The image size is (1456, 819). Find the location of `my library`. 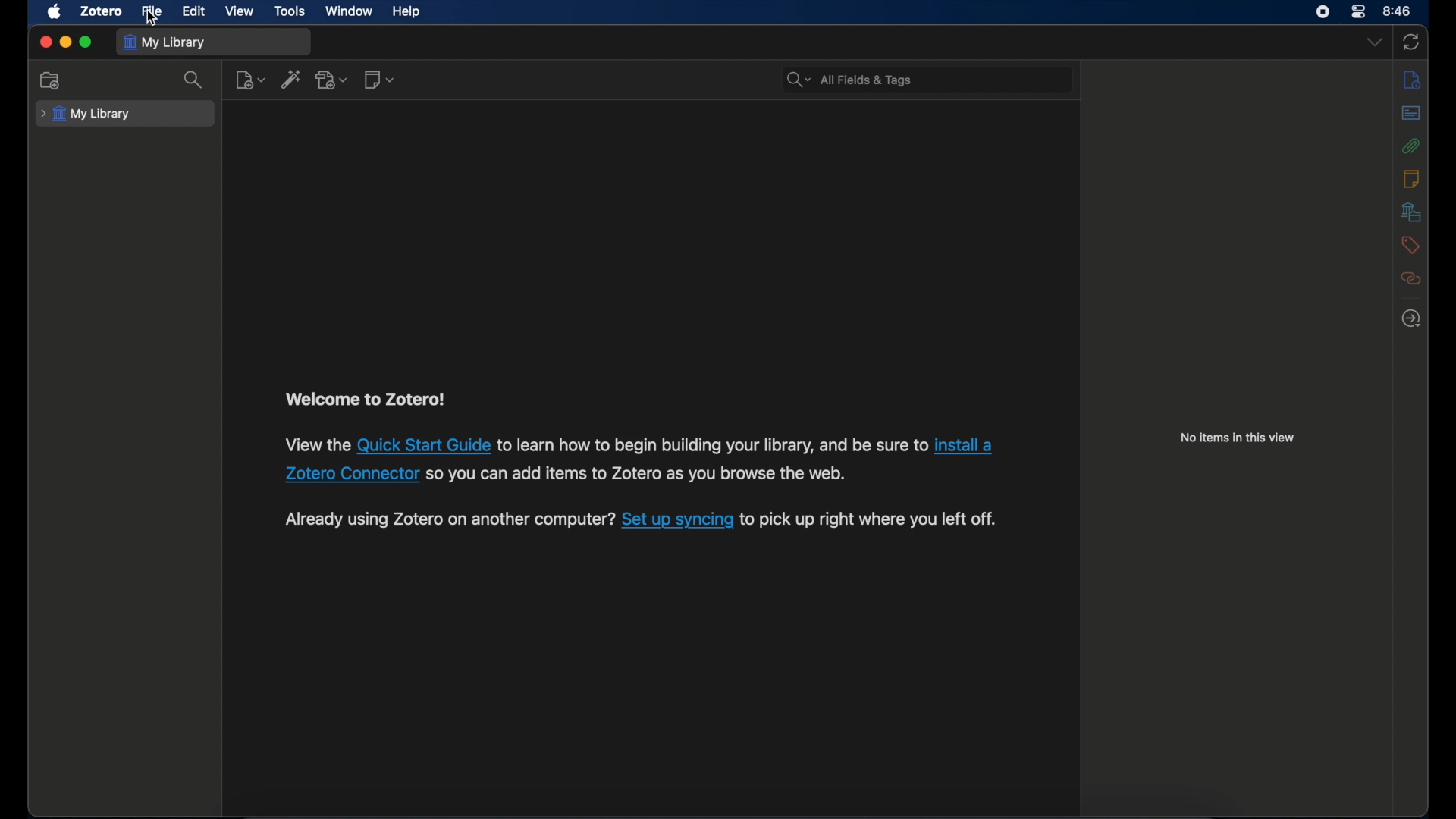

my library is located at coordinates (86, 115).